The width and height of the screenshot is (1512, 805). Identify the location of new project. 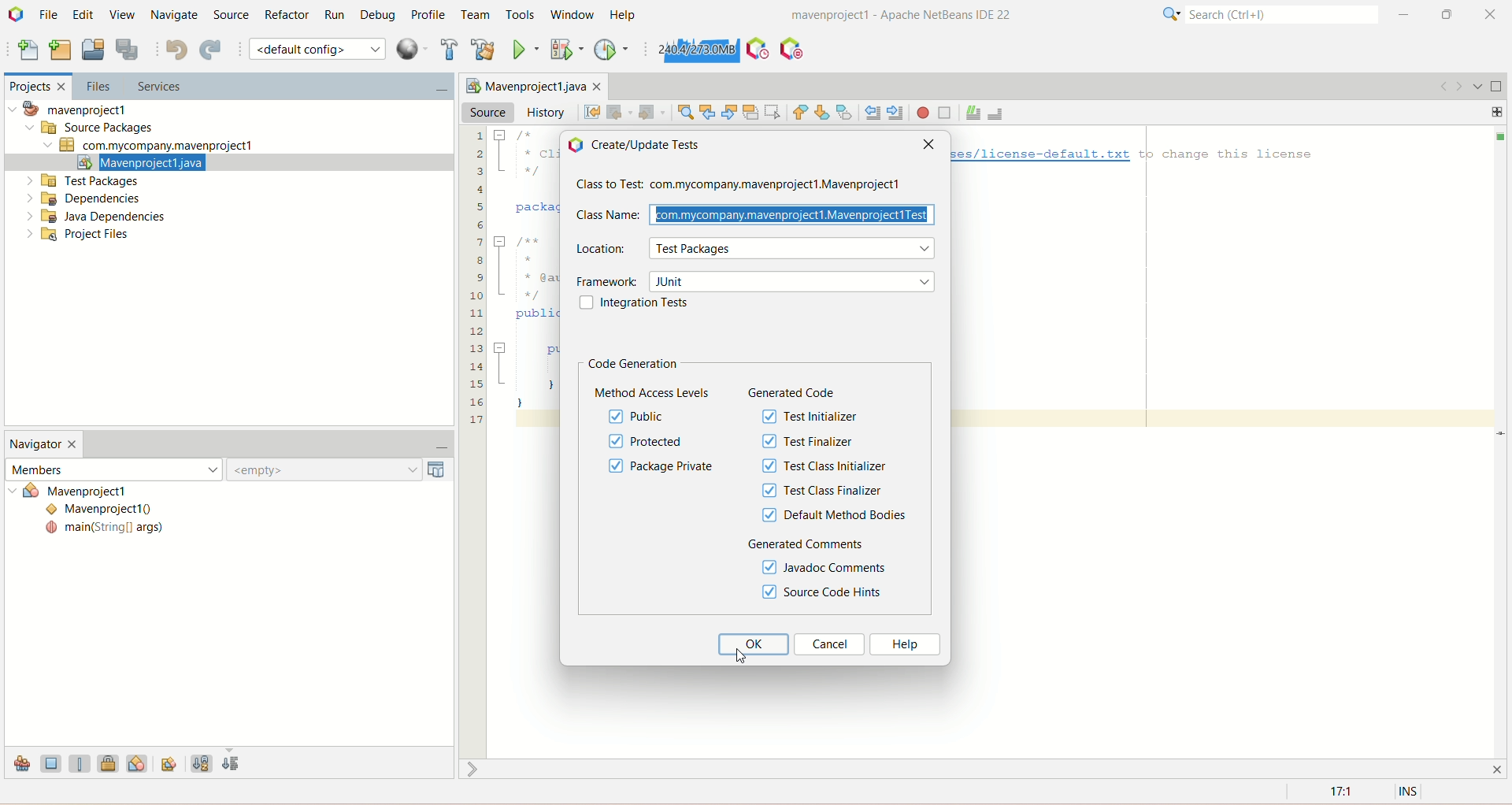
(60, 48).